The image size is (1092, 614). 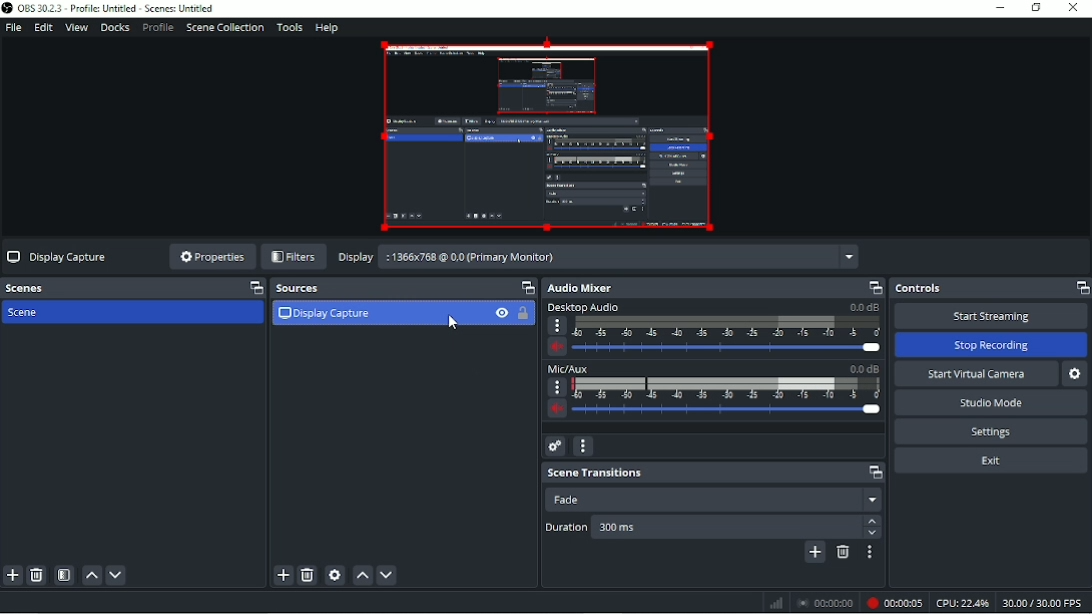 What do you see at coordinates (57, 256) in the screenshot?
I see `Display Capture` at bounding box center [57, 256].